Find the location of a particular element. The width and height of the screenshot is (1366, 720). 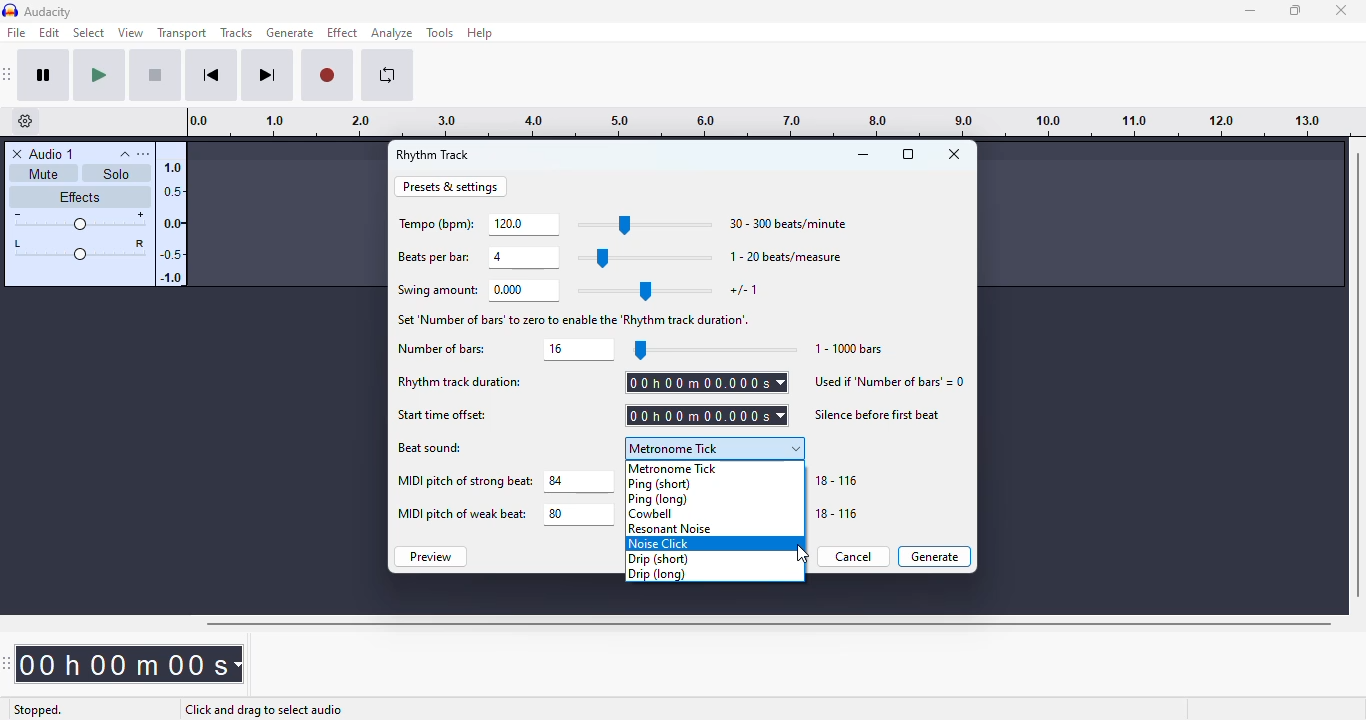

silence before first beat is located at coordinates (879, 413).